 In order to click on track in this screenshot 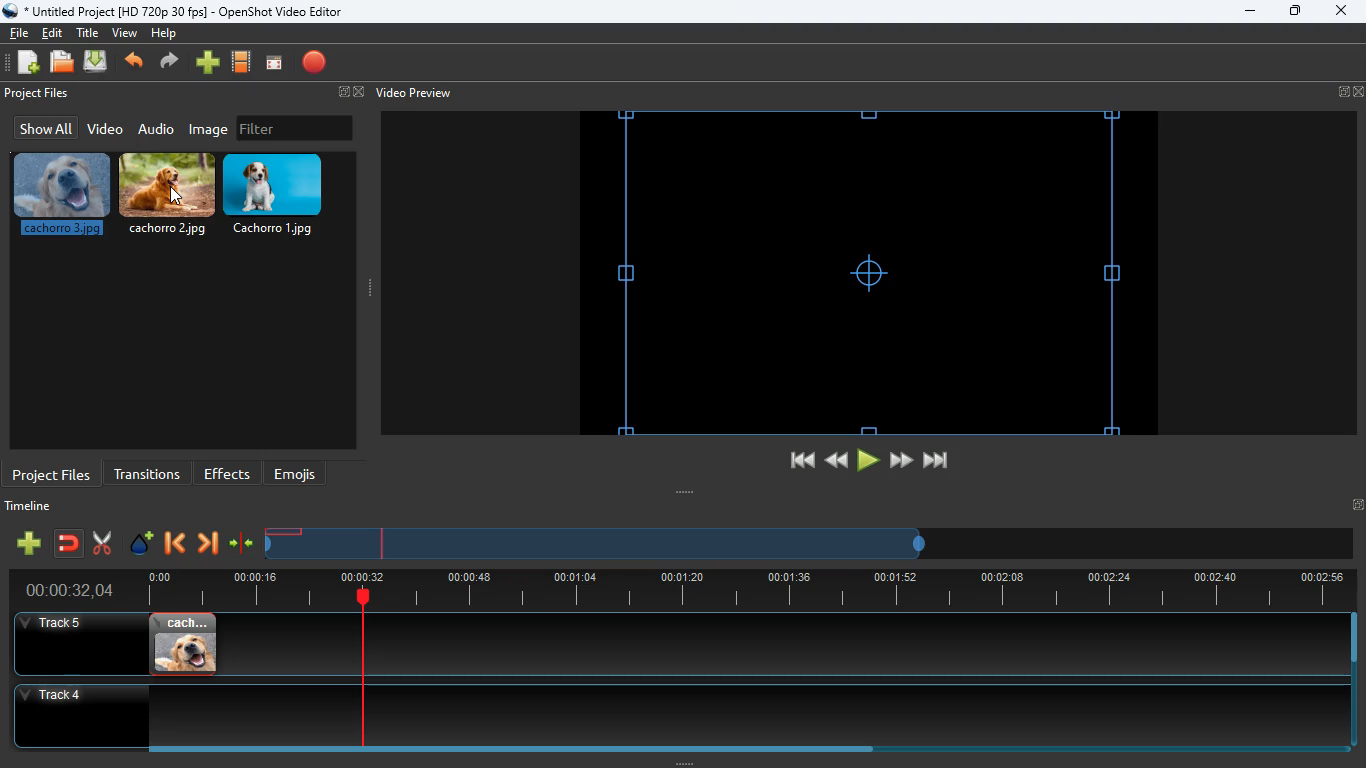, I will do `click(663, 715)`.